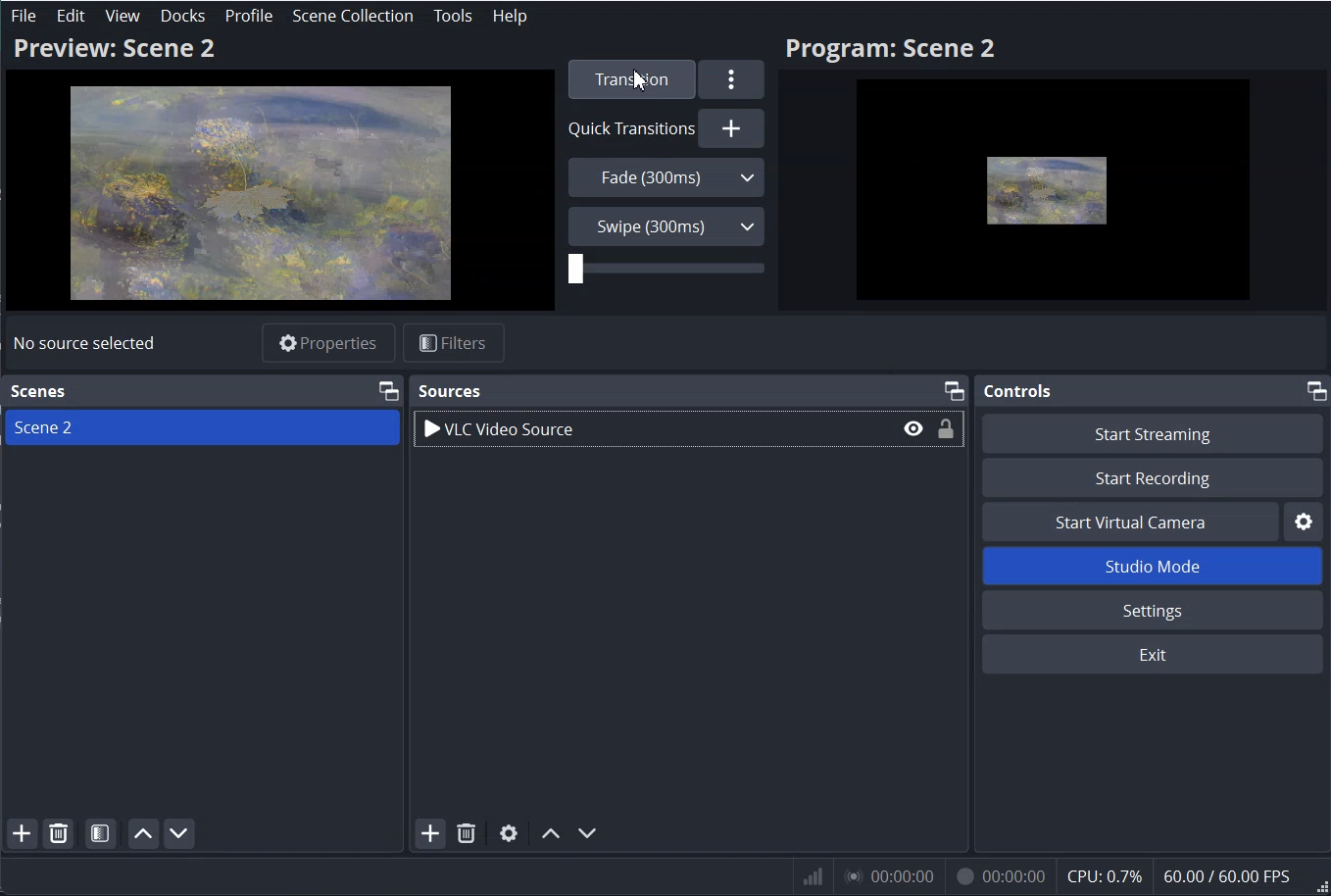  Describe the element at coordinates (122, 17) in the screenshot. I see `View` at that location.